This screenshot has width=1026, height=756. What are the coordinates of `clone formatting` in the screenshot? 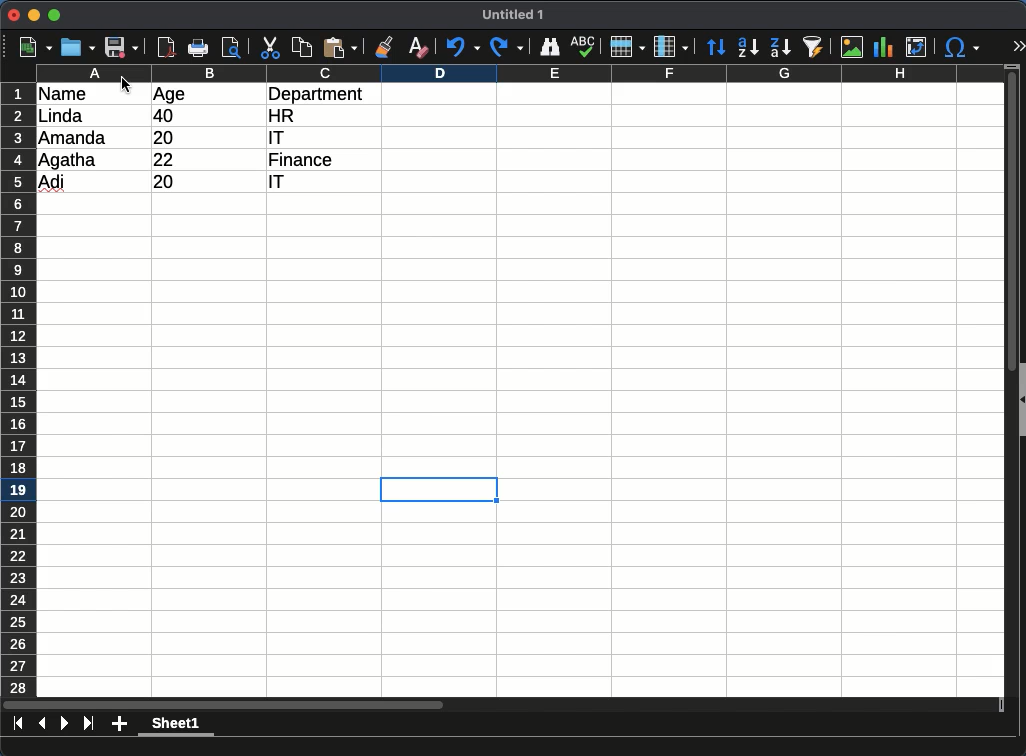 It's located at (386, 46).